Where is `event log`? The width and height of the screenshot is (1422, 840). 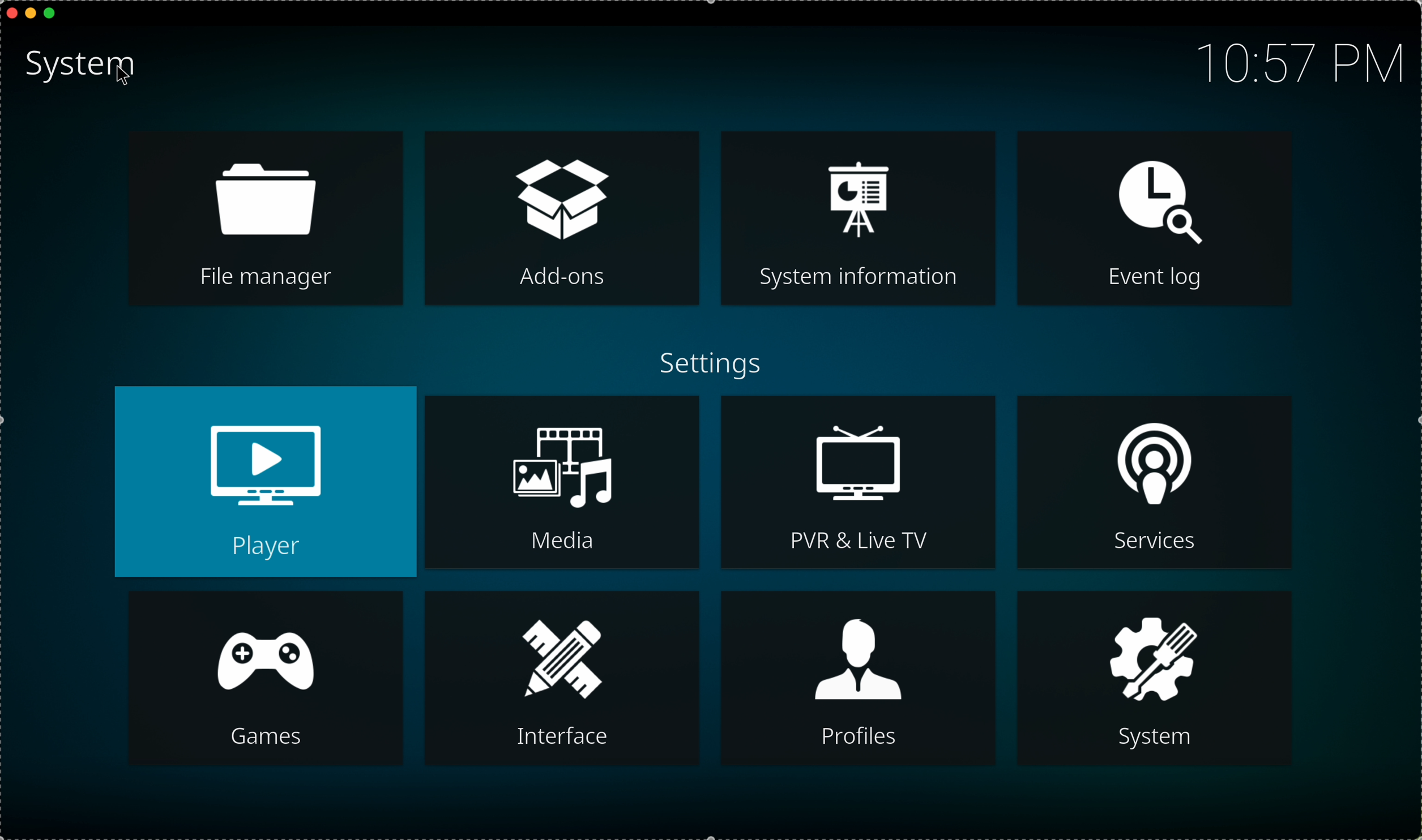 event log is located at coordinates (1155, 221).